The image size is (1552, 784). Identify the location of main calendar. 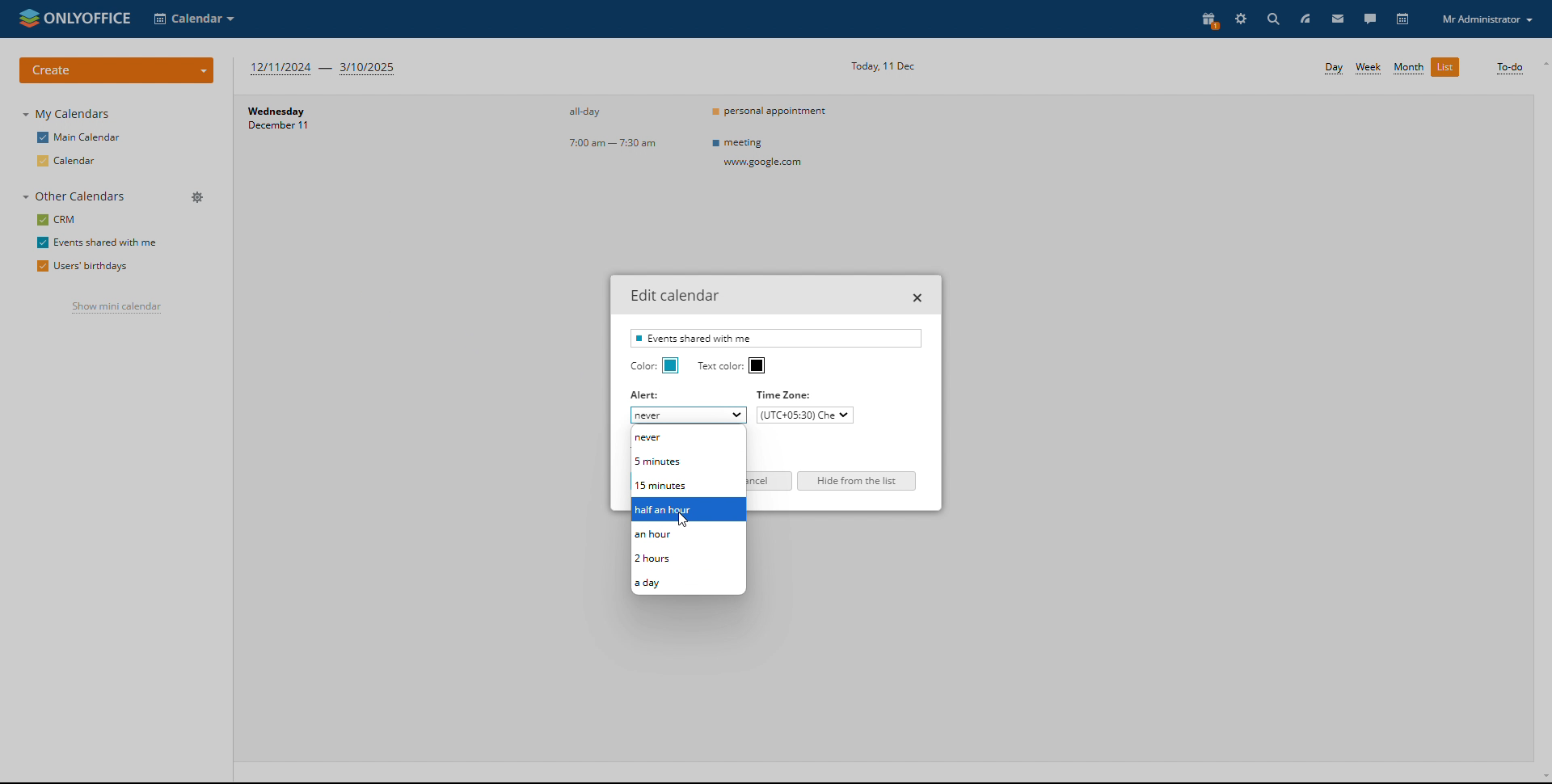
(78, 138).